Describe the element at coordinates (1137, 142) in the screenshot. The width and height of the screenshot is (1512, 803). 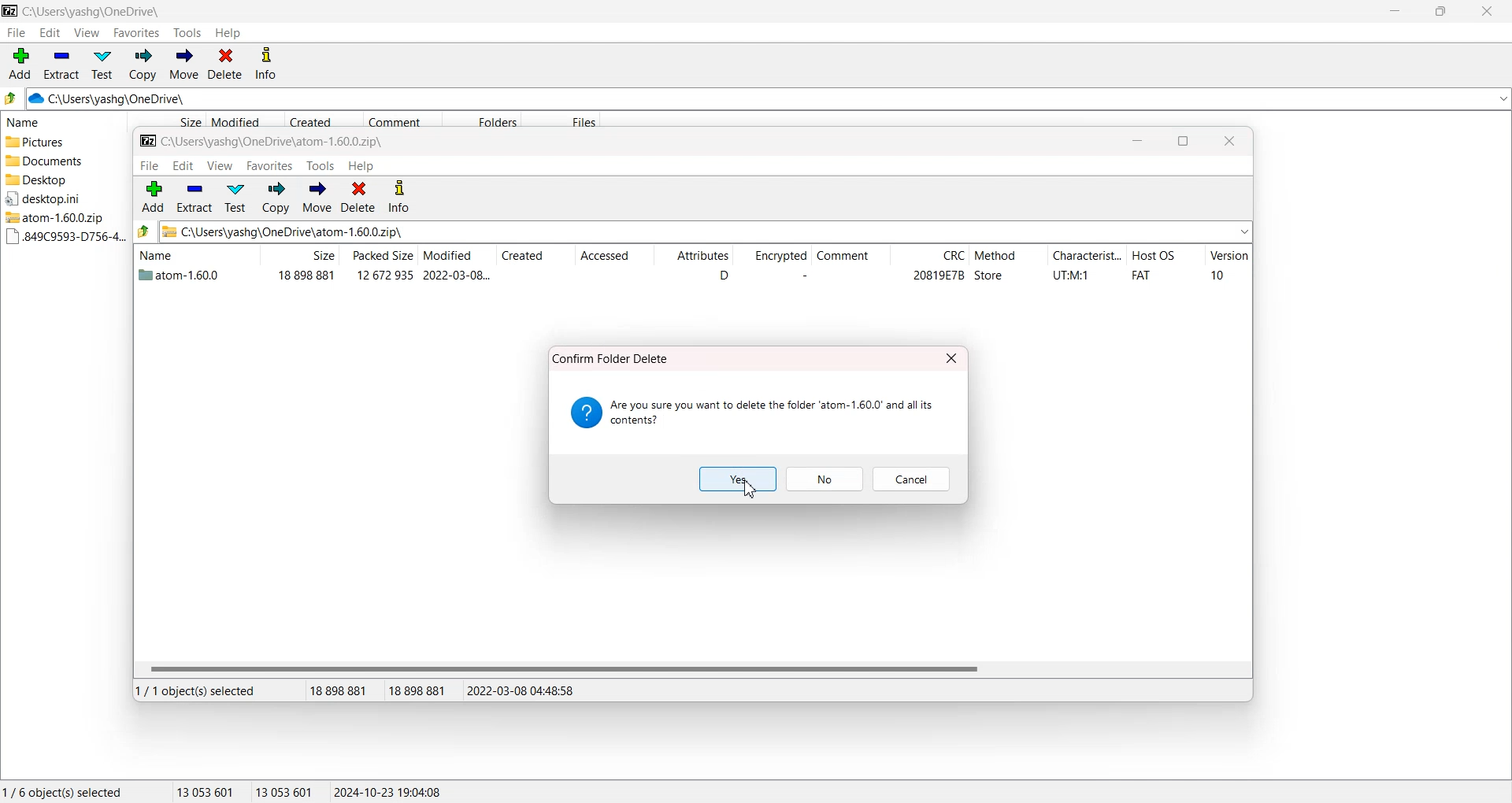
I see `minimize` at that location.